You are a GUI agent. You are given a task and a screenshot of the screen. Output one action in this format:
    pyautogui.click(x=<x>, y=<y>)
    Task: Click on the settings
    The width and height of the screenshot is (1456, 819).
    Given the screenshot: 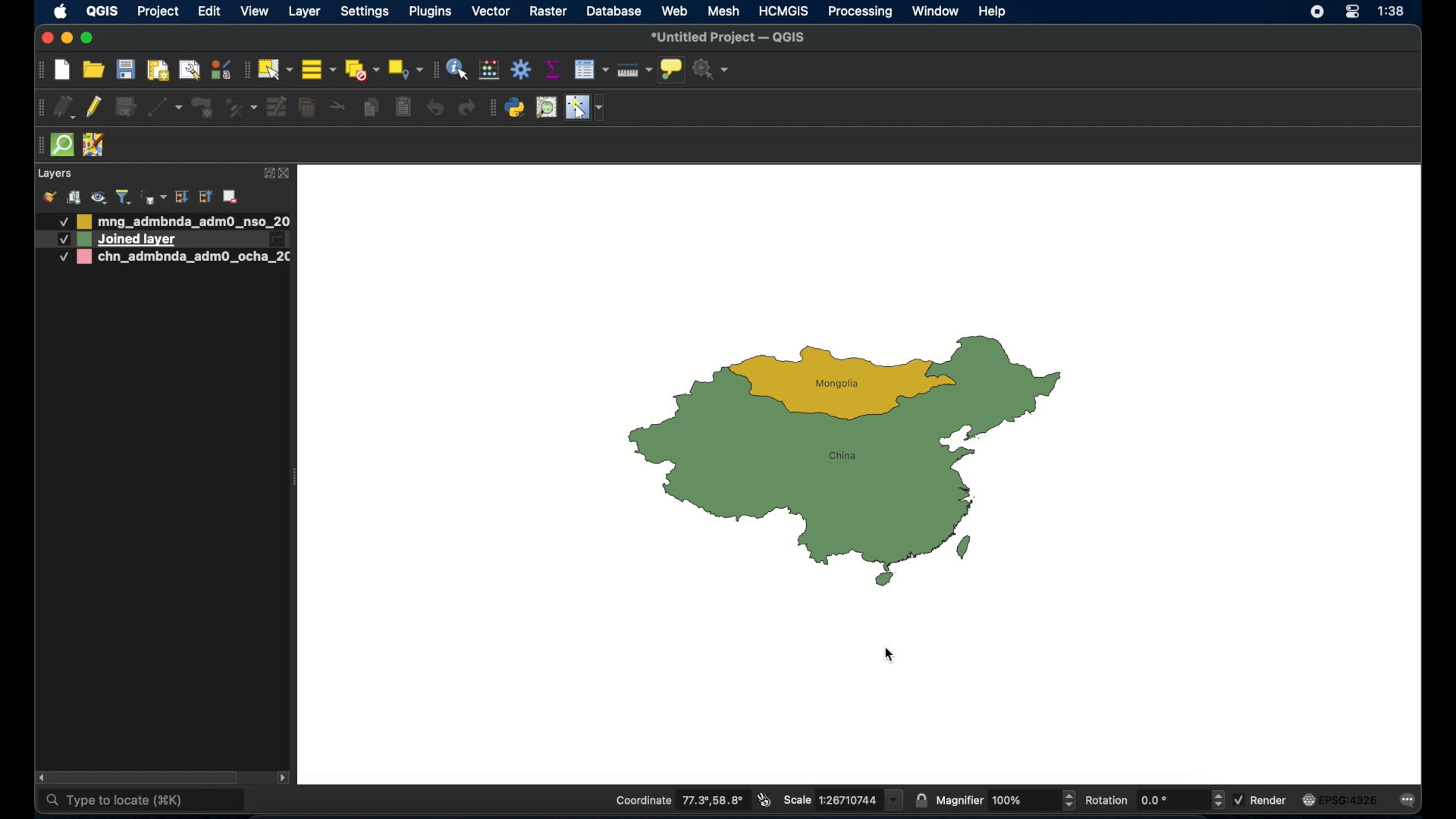 What is the action you would take?
    pyautogui.click(x=366, y=12)
    